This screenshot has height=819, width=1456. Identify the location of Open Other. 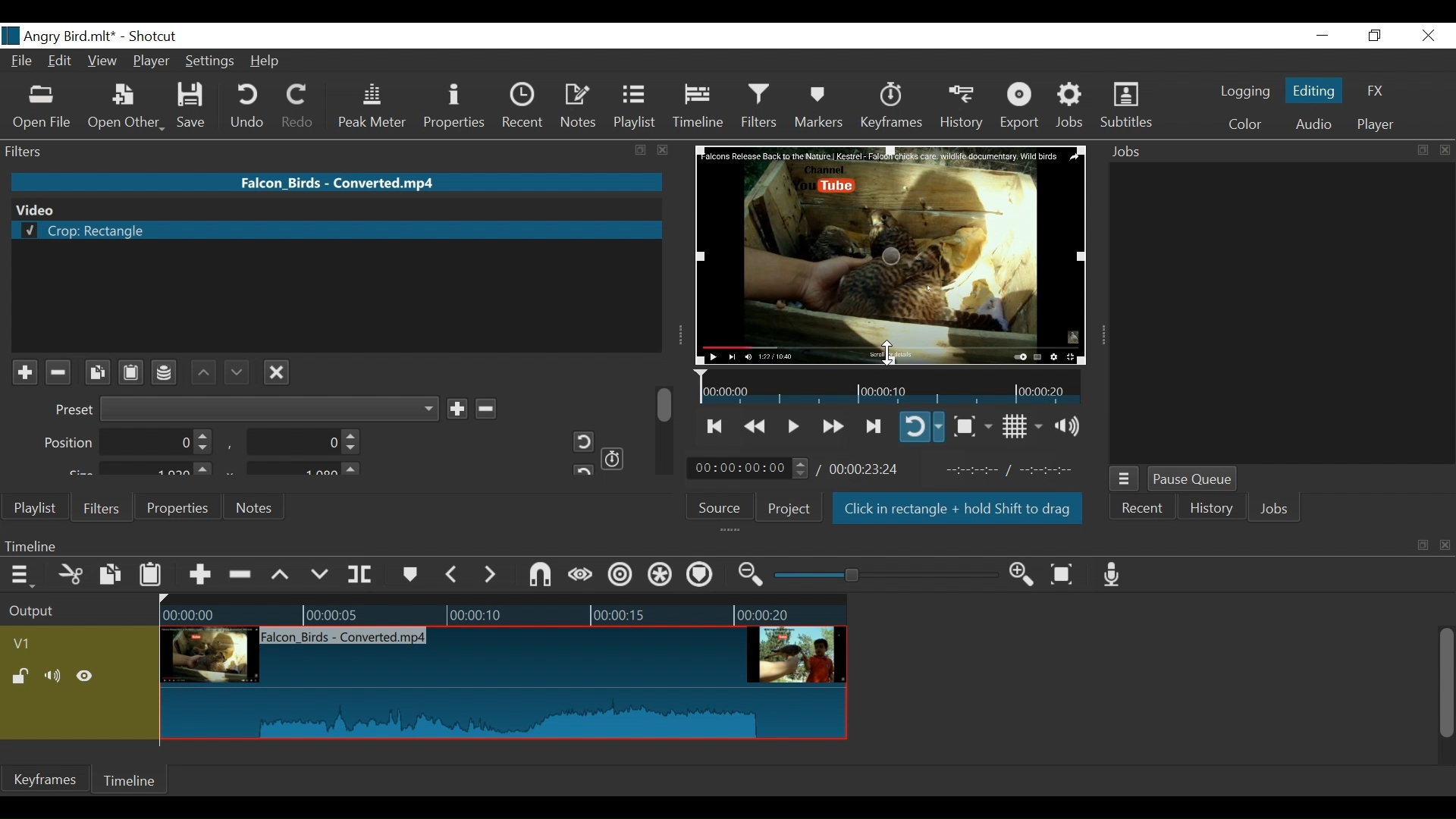
(126, 107).